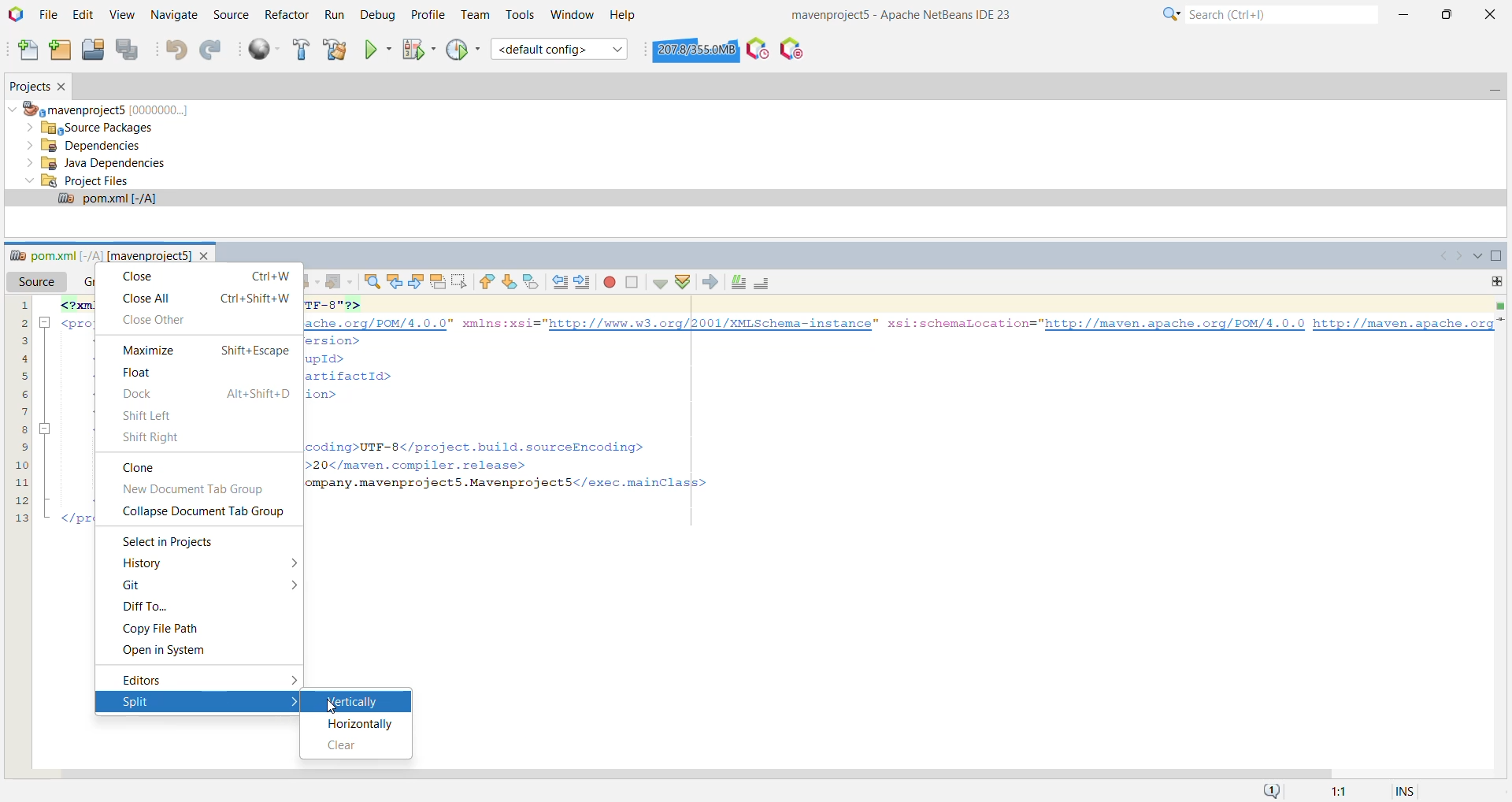 This screenshot has width=1512, height=802. I want to click on Restore Down, so click(1446, 13).